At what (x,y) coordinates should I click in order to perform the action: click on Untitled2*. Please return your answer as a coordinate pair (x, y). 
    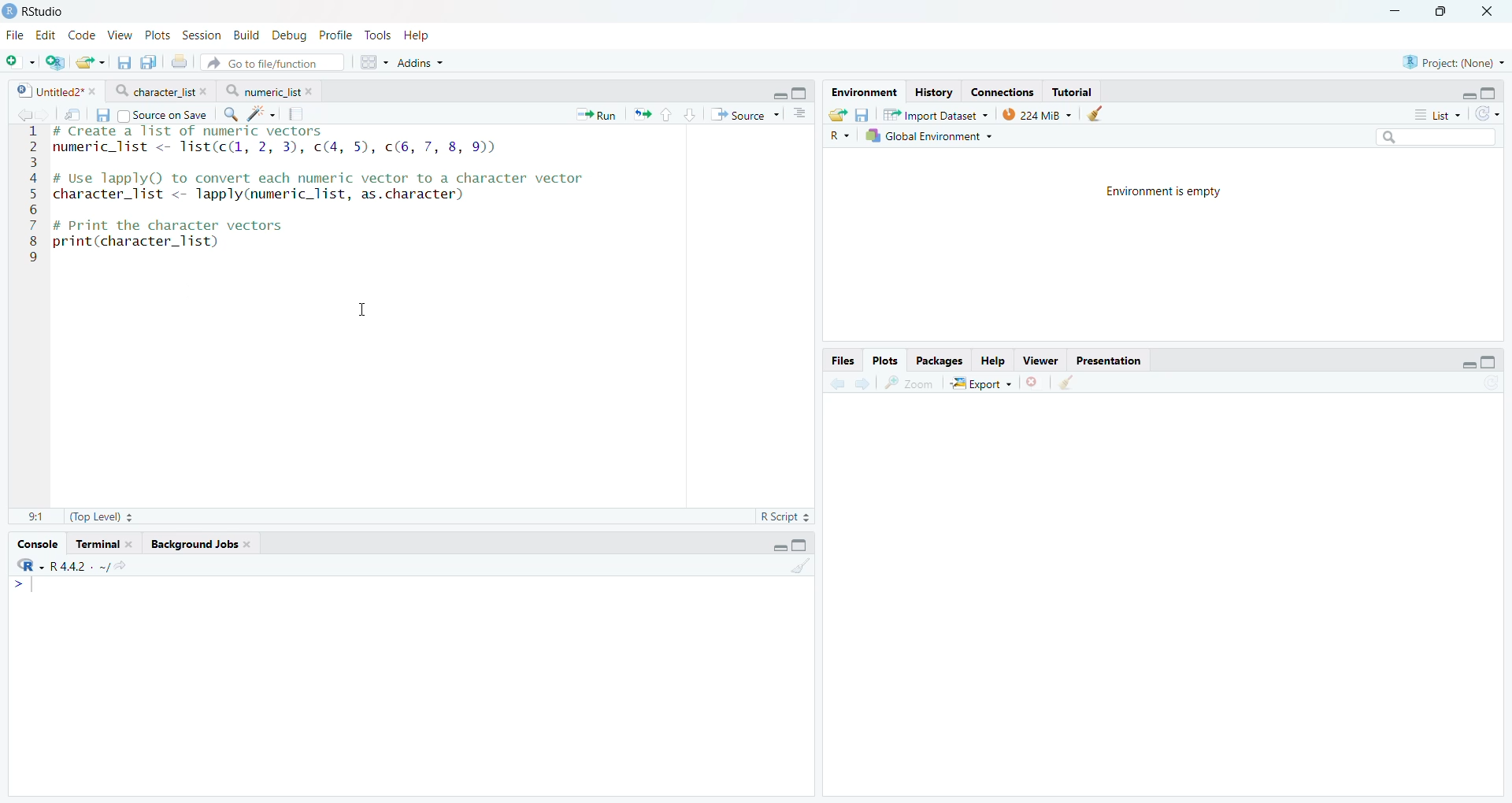
    Looking at the image, I should click on (54, 90).